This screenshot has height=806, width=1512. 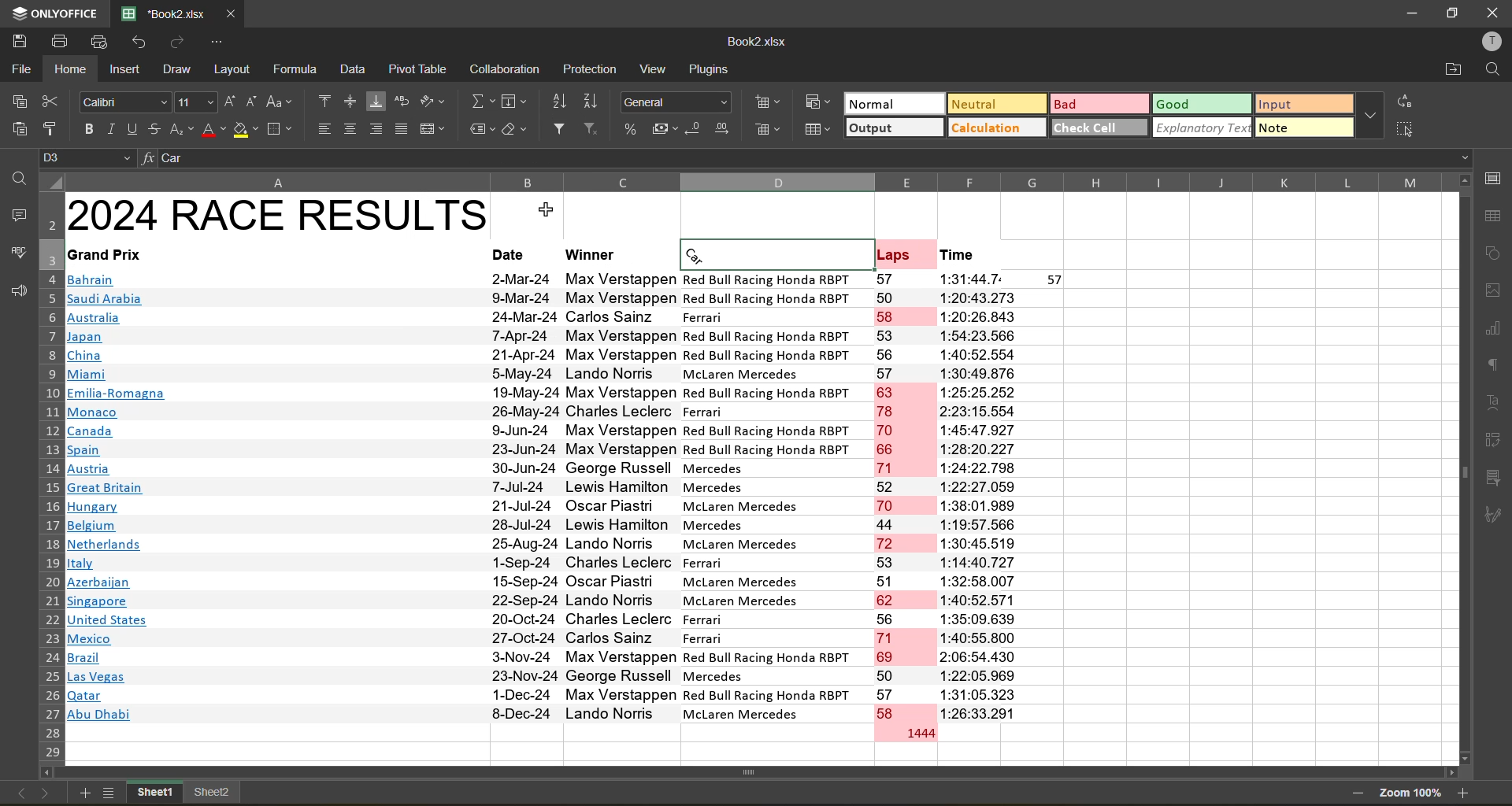 I want to click on find, so click(x=1493, y=71).